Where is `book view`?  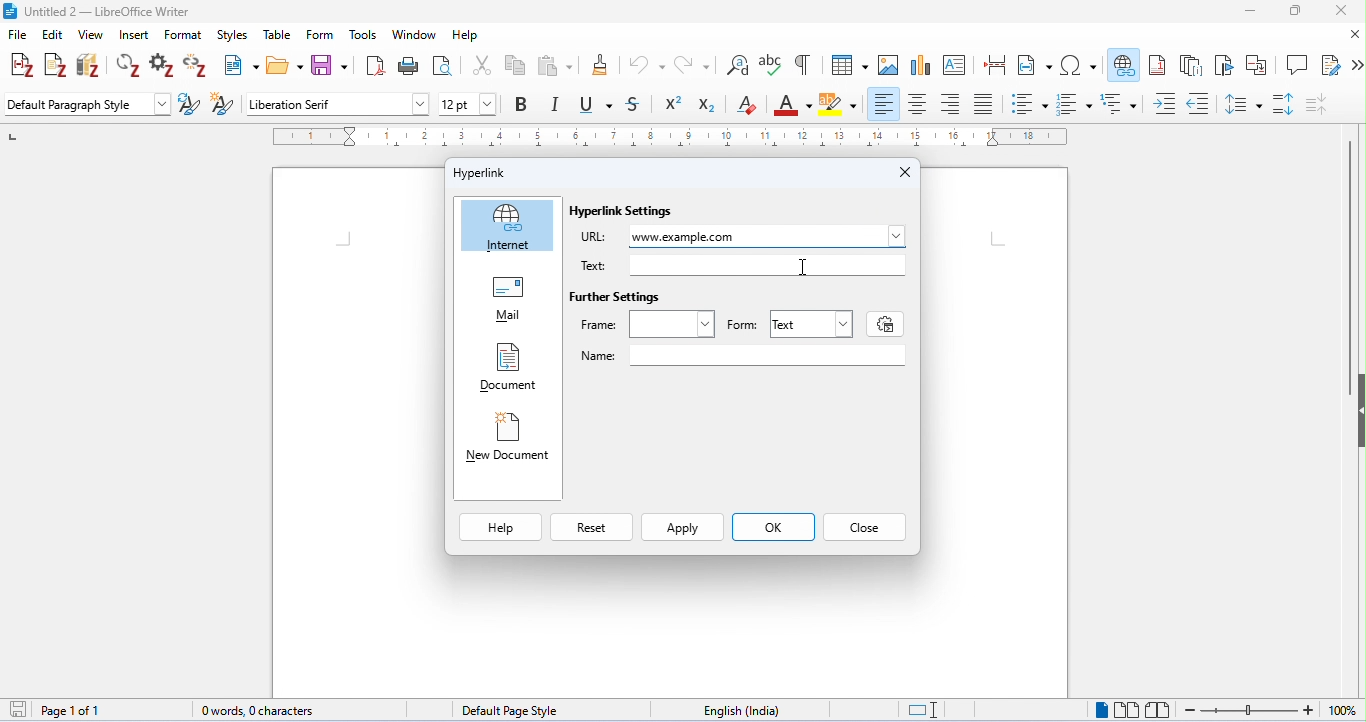
book view is located at coordinates (1159, 710).